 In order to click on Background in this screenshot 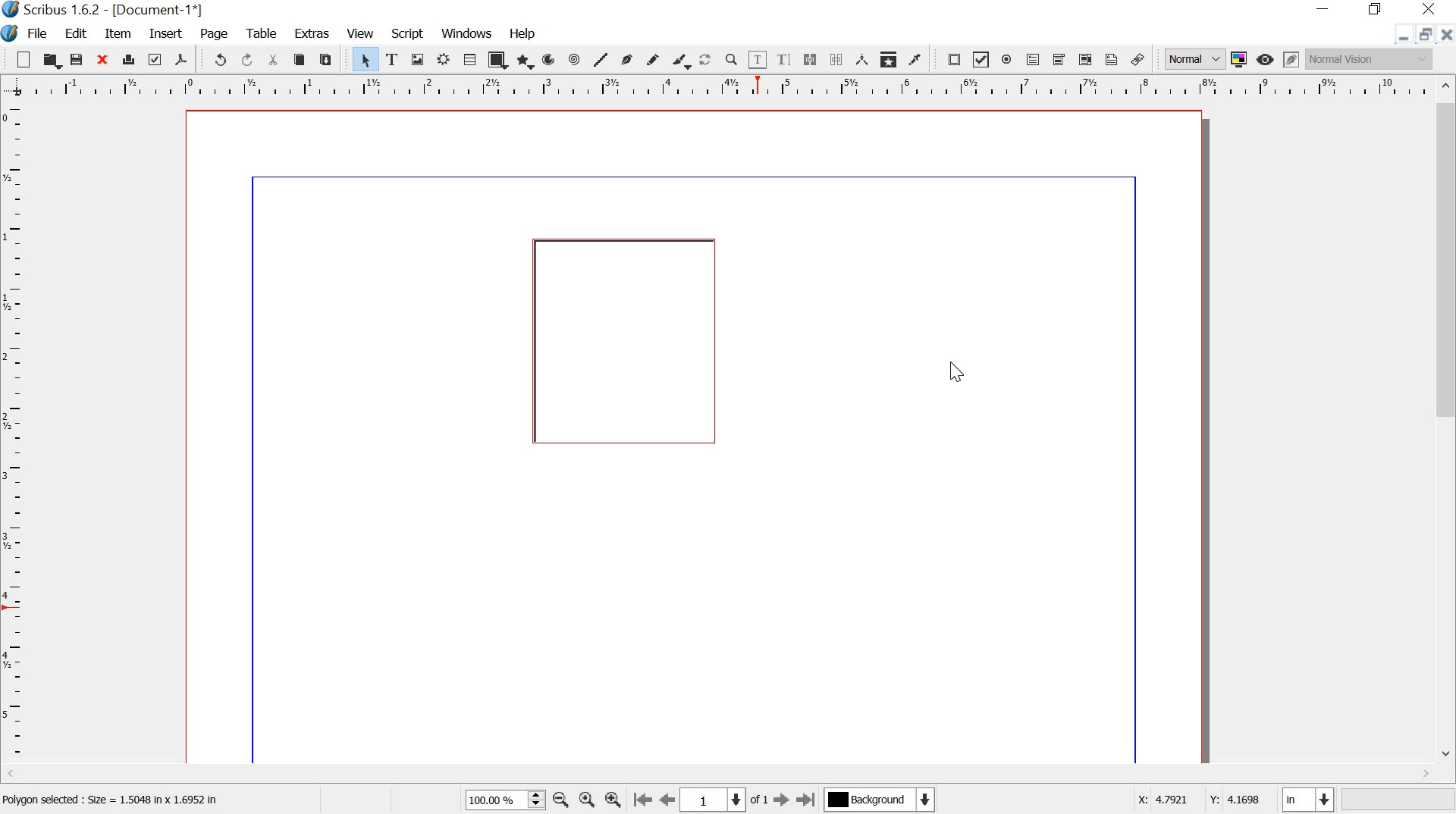, I will do `click(882, 801)`.